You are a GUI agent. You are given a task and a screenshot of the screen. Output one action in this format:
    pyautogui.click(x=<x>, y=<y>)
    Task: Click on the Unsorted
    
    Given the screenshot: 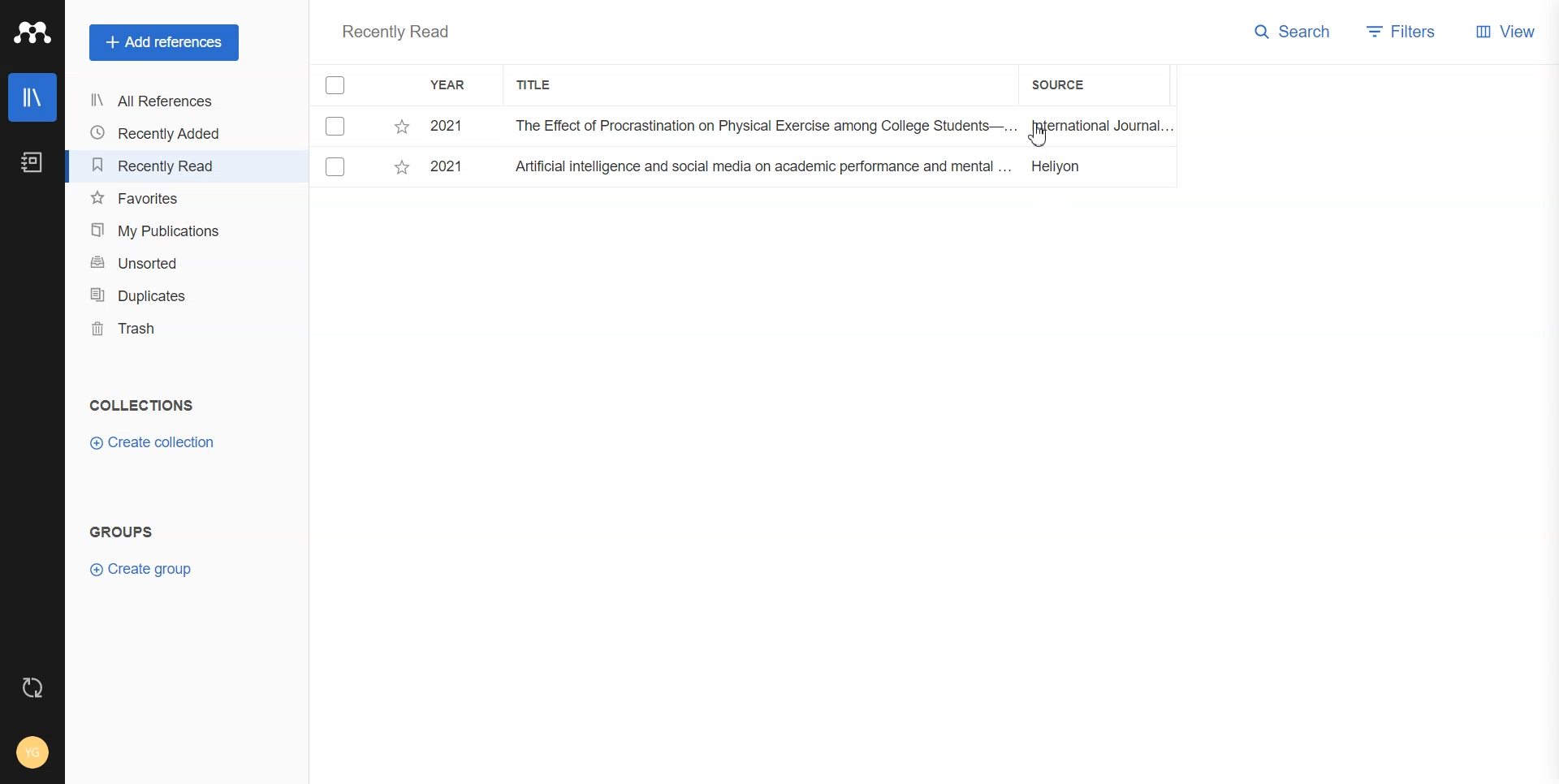 What is the action you would take?
    pyautogui.click(x=160, y=261)
    